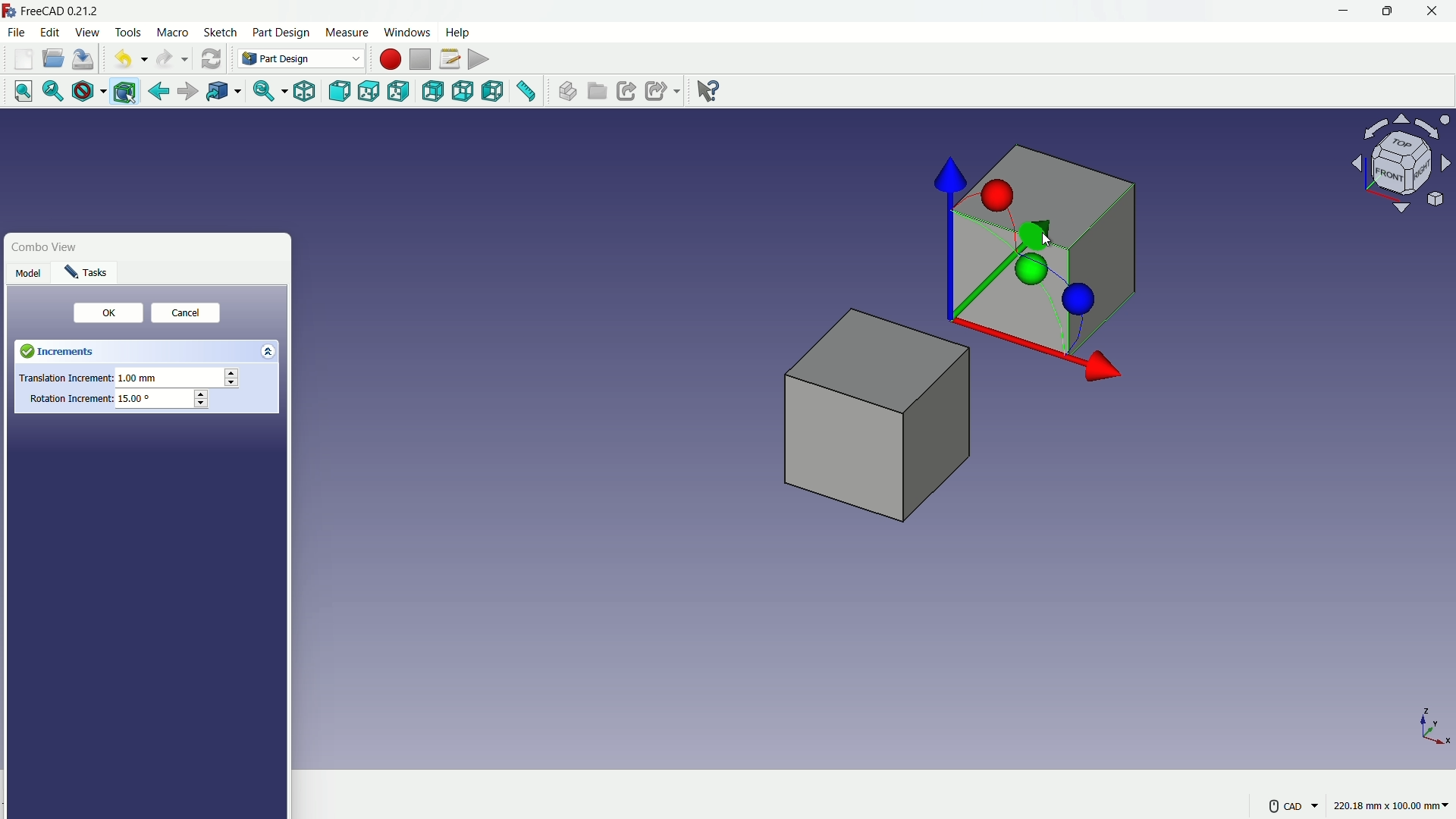 This screenshot has width=1456, height=819. What do you see at coordinates (346, 33) in the screenshot?
I see `measure` at bounding box center [346, 33].